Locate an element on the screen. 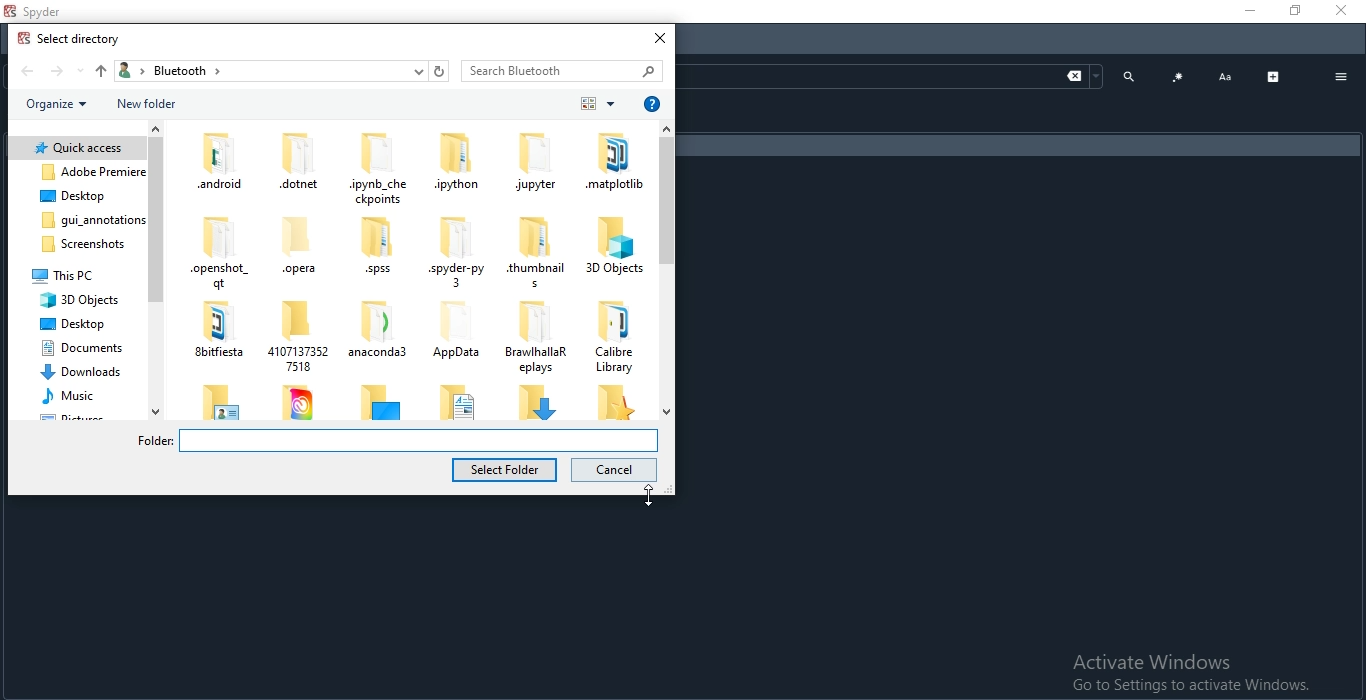 This screenshot has height=700, width=1366. folder is located at coordinates (215, 253).